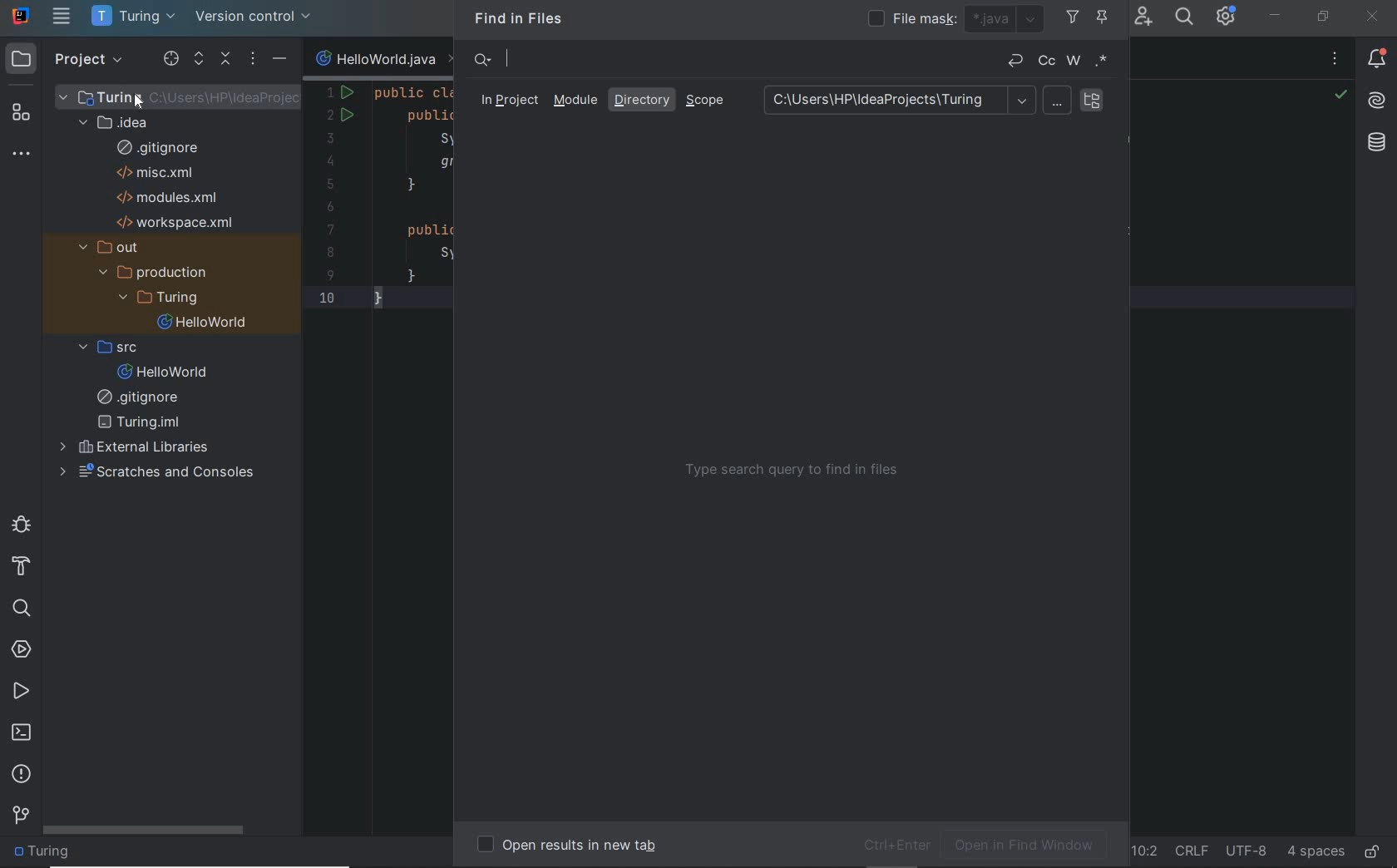 The width and height of the screenshot is (1397, 868). What do you see at coordinates (22, 775) in the screenshot?
I see `problems` at bounding box center [22, 775].